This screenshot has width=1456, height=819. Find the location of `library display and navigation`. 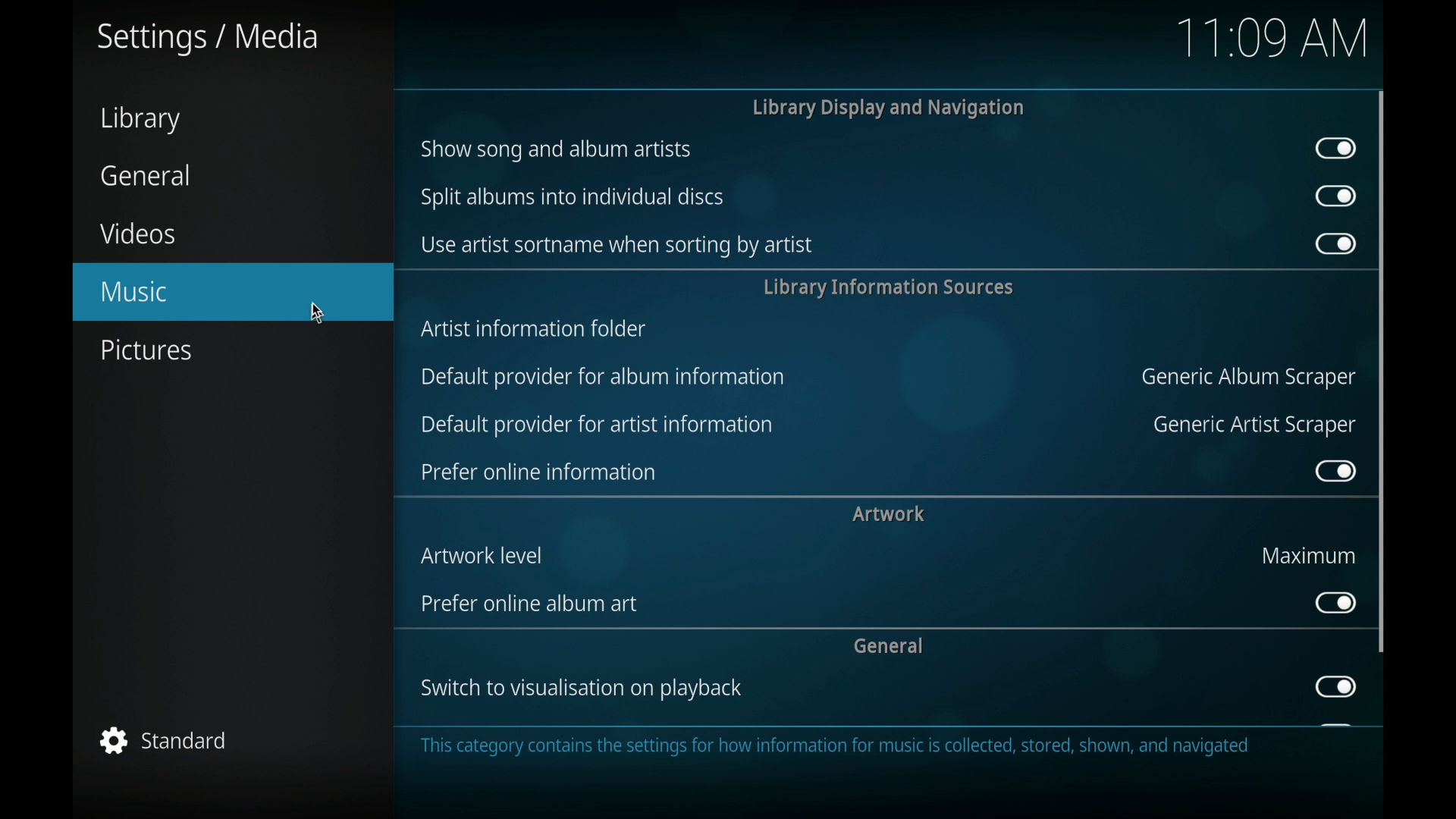

library display and navigation is located at coordinates (887, 108).